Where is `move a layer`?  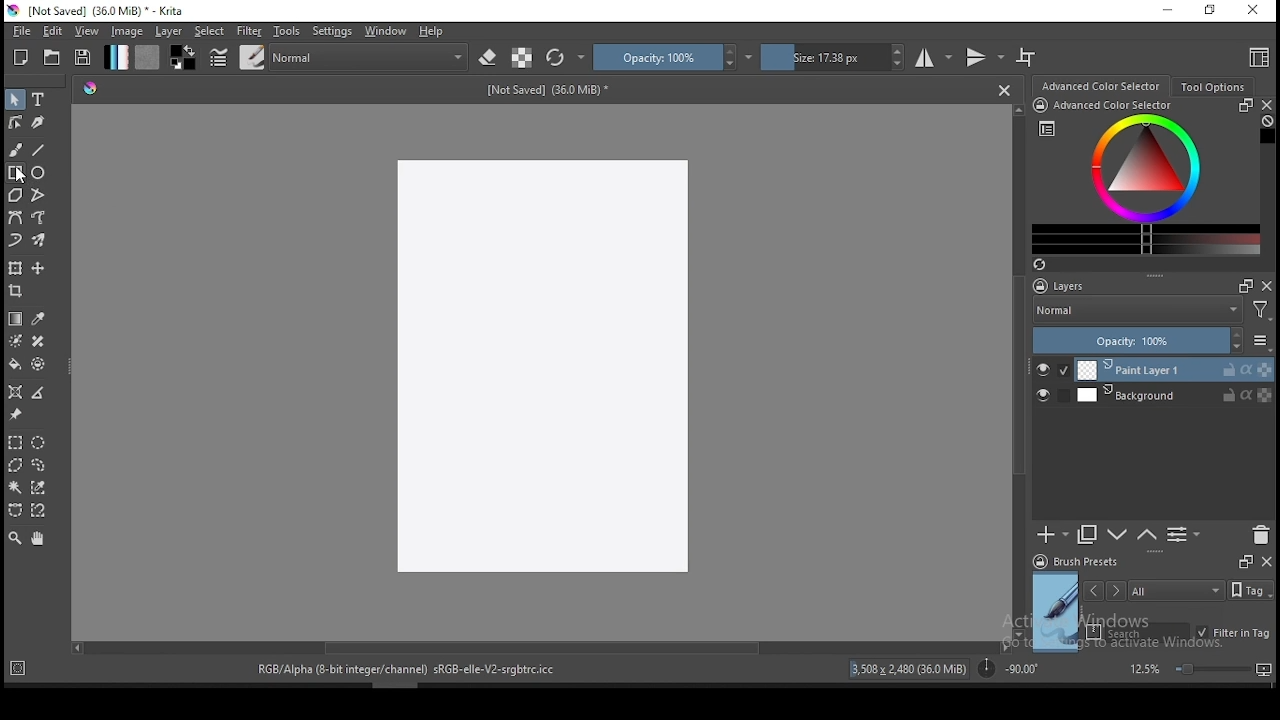 move a layer is located at coordinates (38, 269).